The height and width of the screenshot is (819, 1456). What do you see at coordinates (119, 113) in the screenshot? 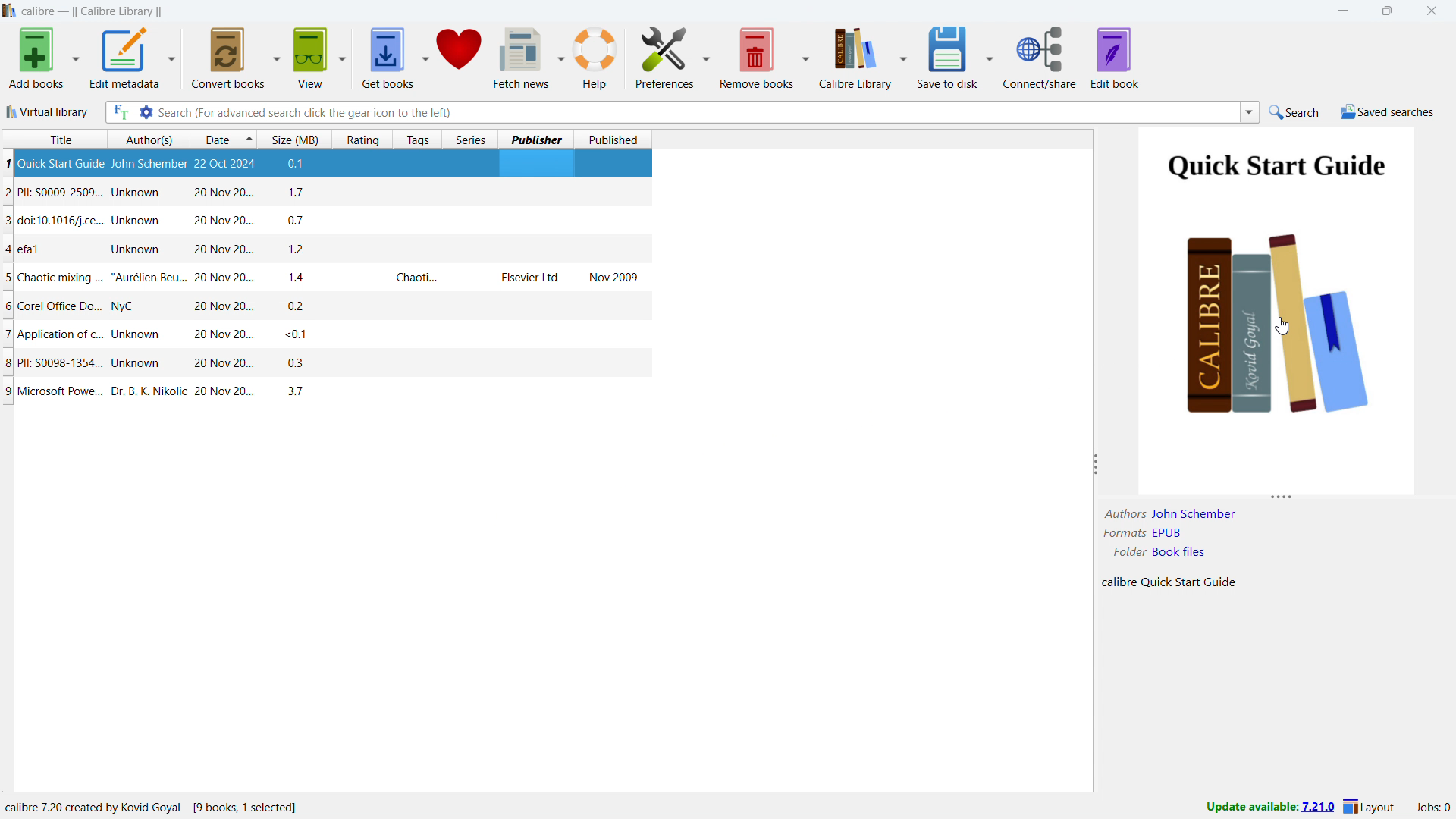
I see `full text search` at bounding box center [119, 113].